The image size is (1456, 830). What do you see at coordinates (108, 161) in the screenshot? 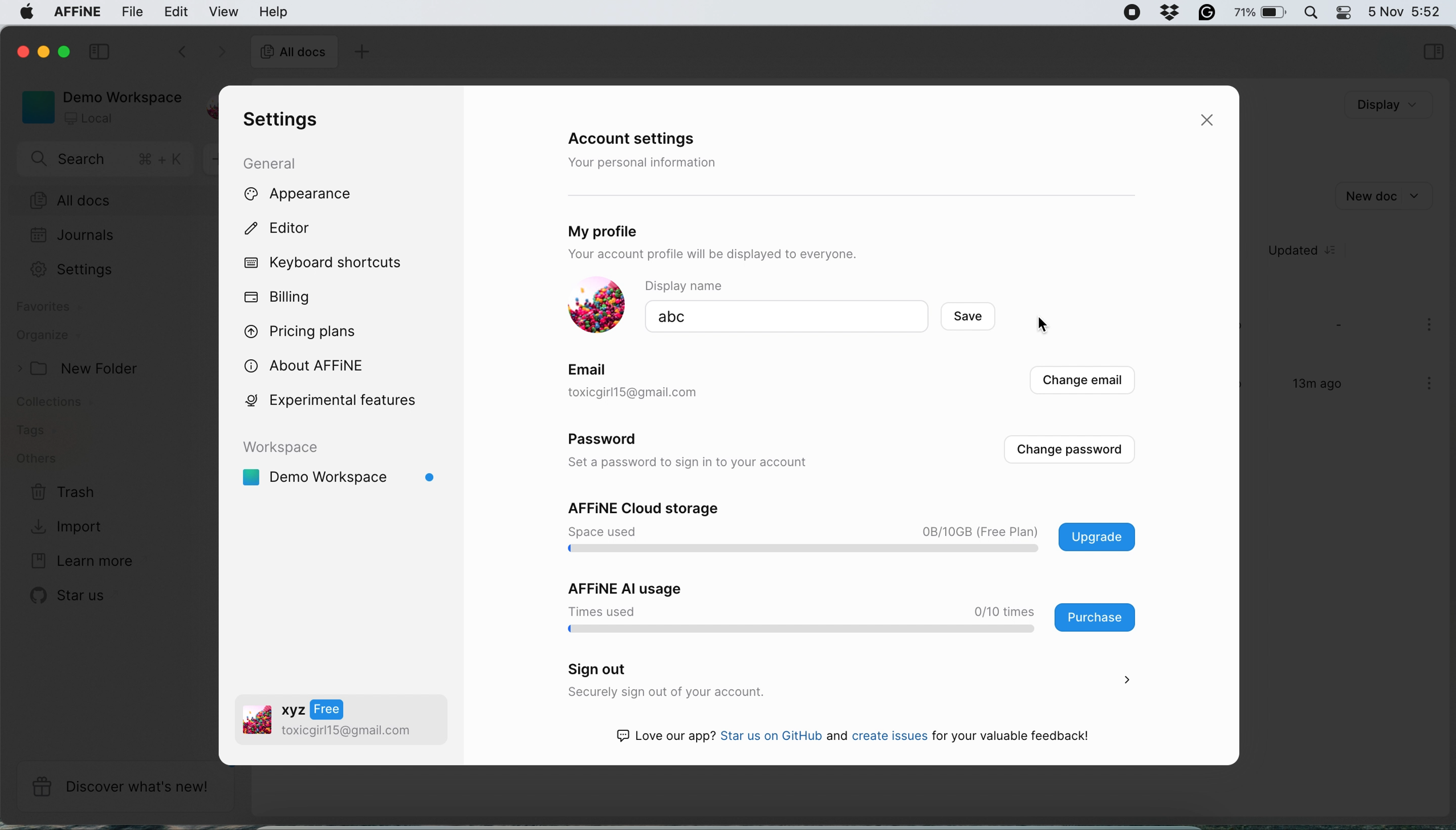
I see `search` at bounding box center [108, 161].